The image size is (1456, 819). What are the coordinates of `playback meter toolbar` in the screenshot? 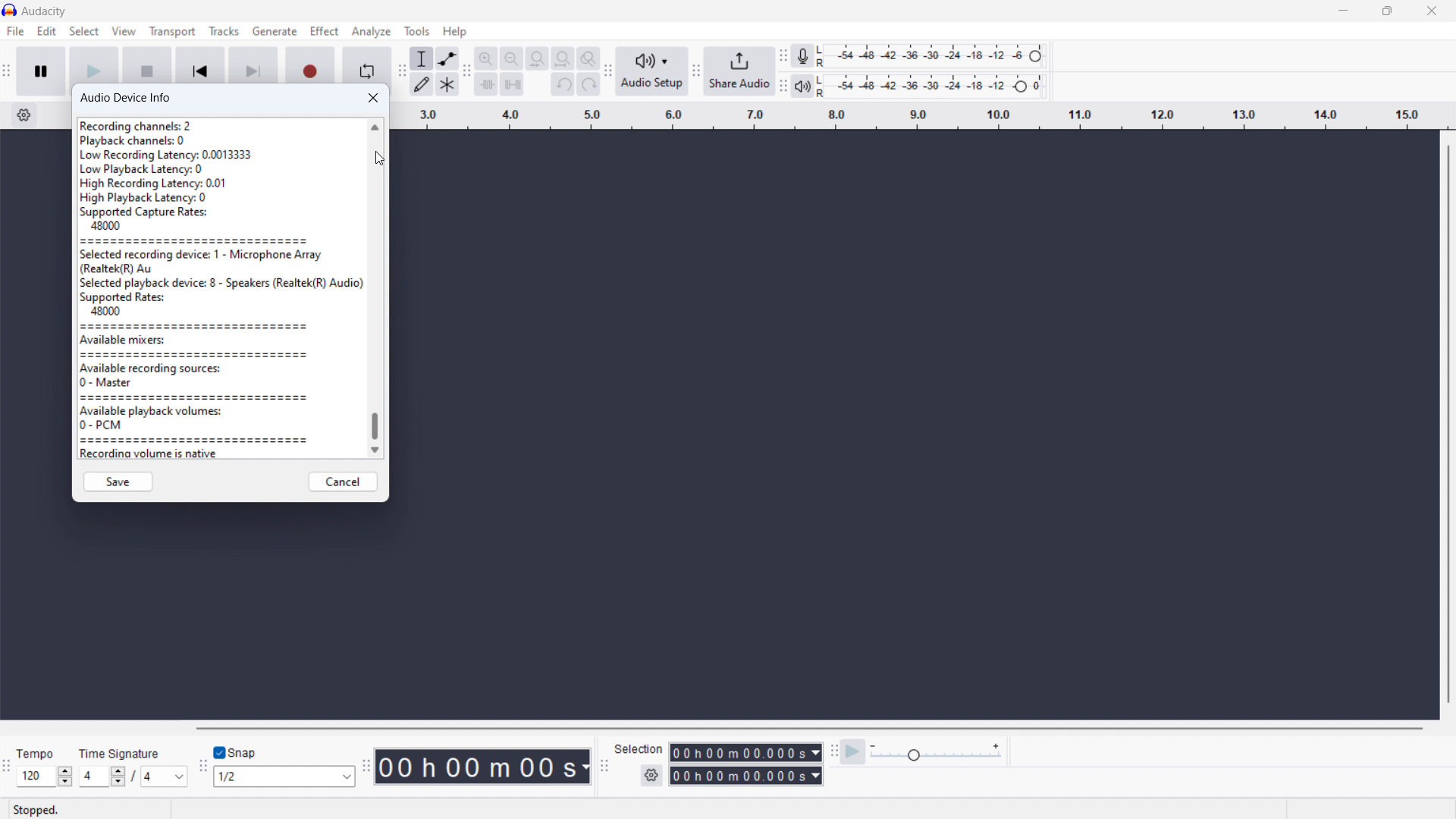 It's located at (783, 87).